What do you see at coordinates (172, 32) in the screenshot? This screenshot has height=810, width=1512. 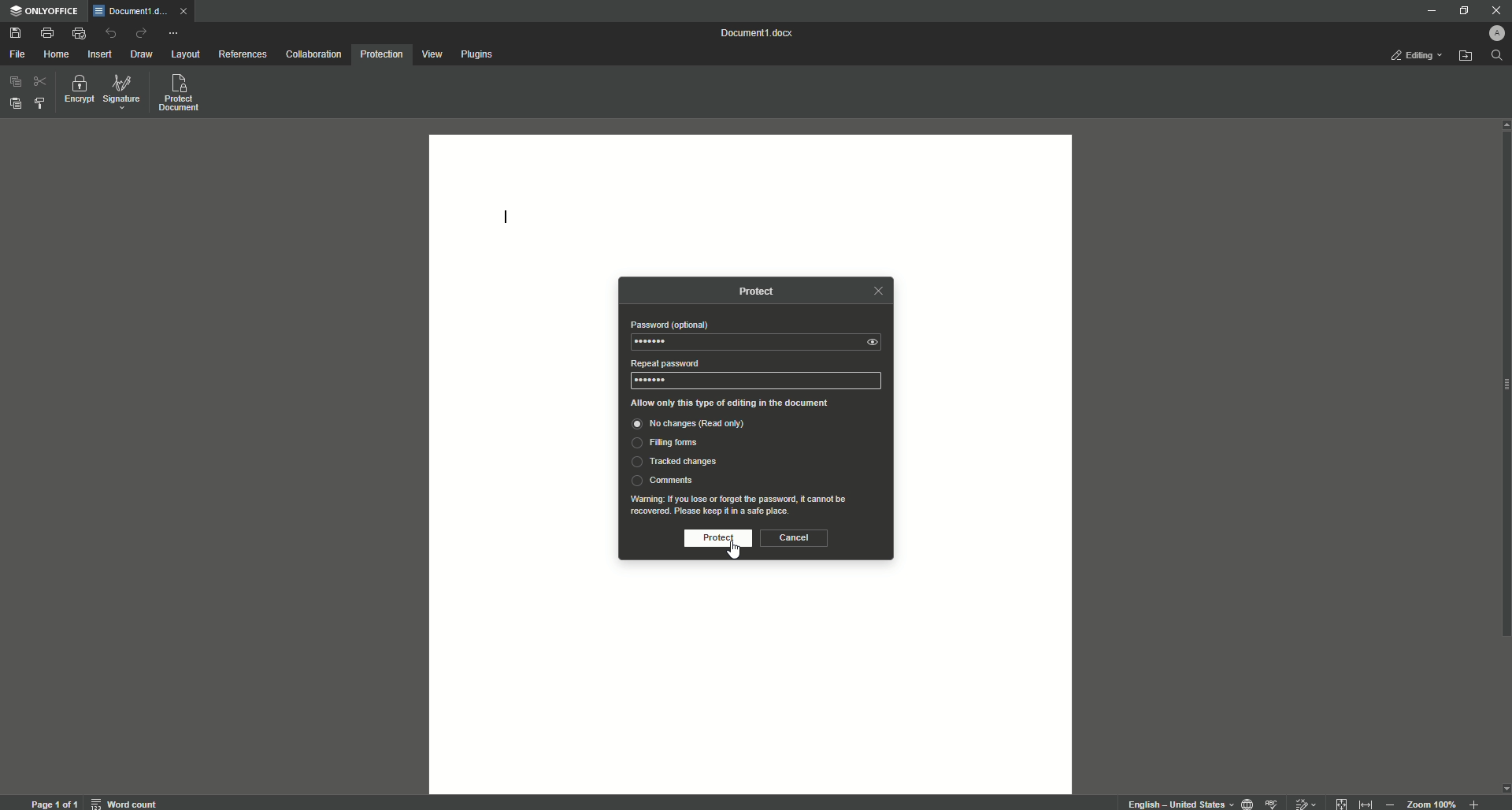 I see `More Actions` at bounding box center [172, 32].